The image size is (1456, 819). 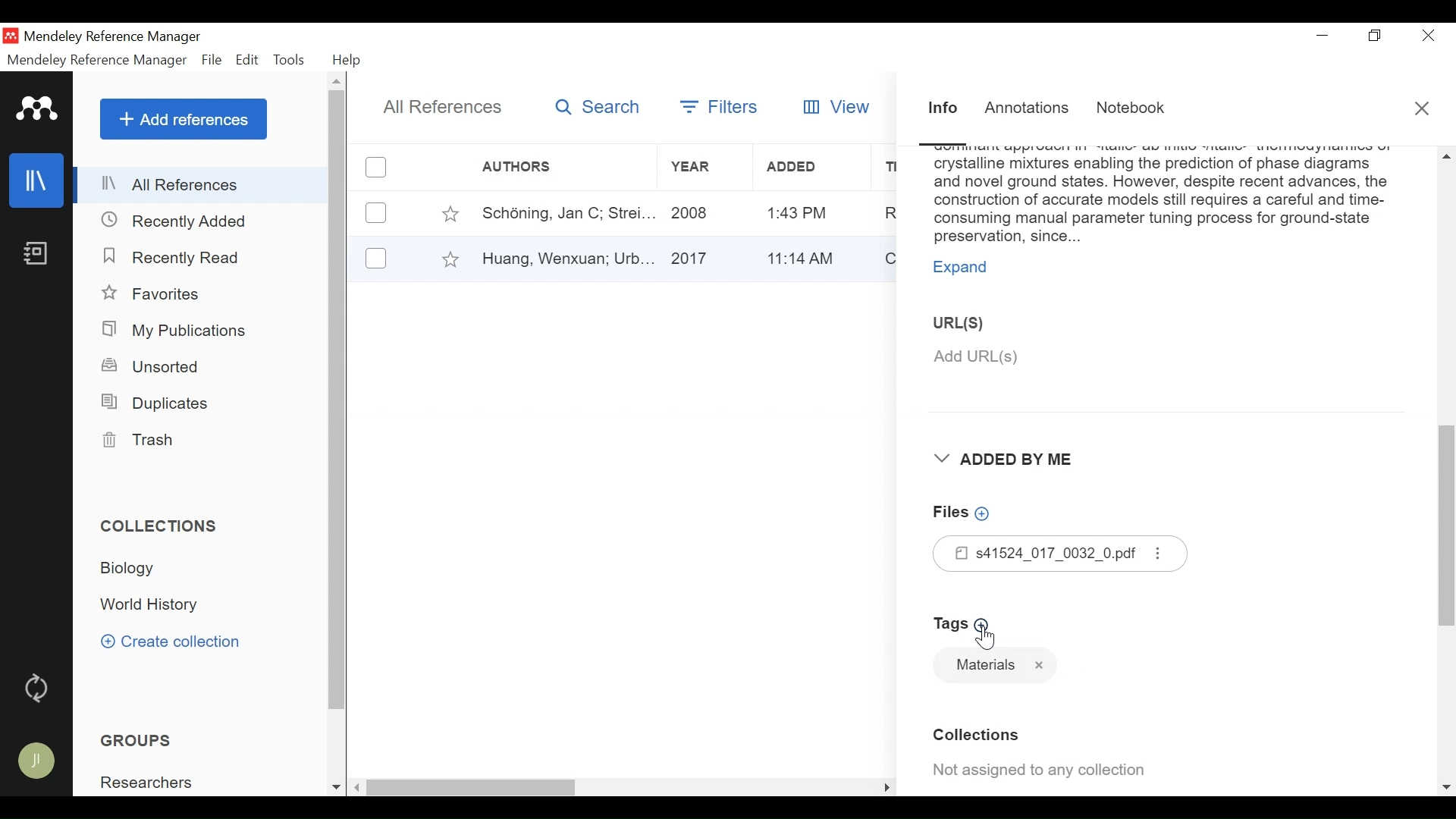 I want to click on Collection, so click(x=133, y=568).